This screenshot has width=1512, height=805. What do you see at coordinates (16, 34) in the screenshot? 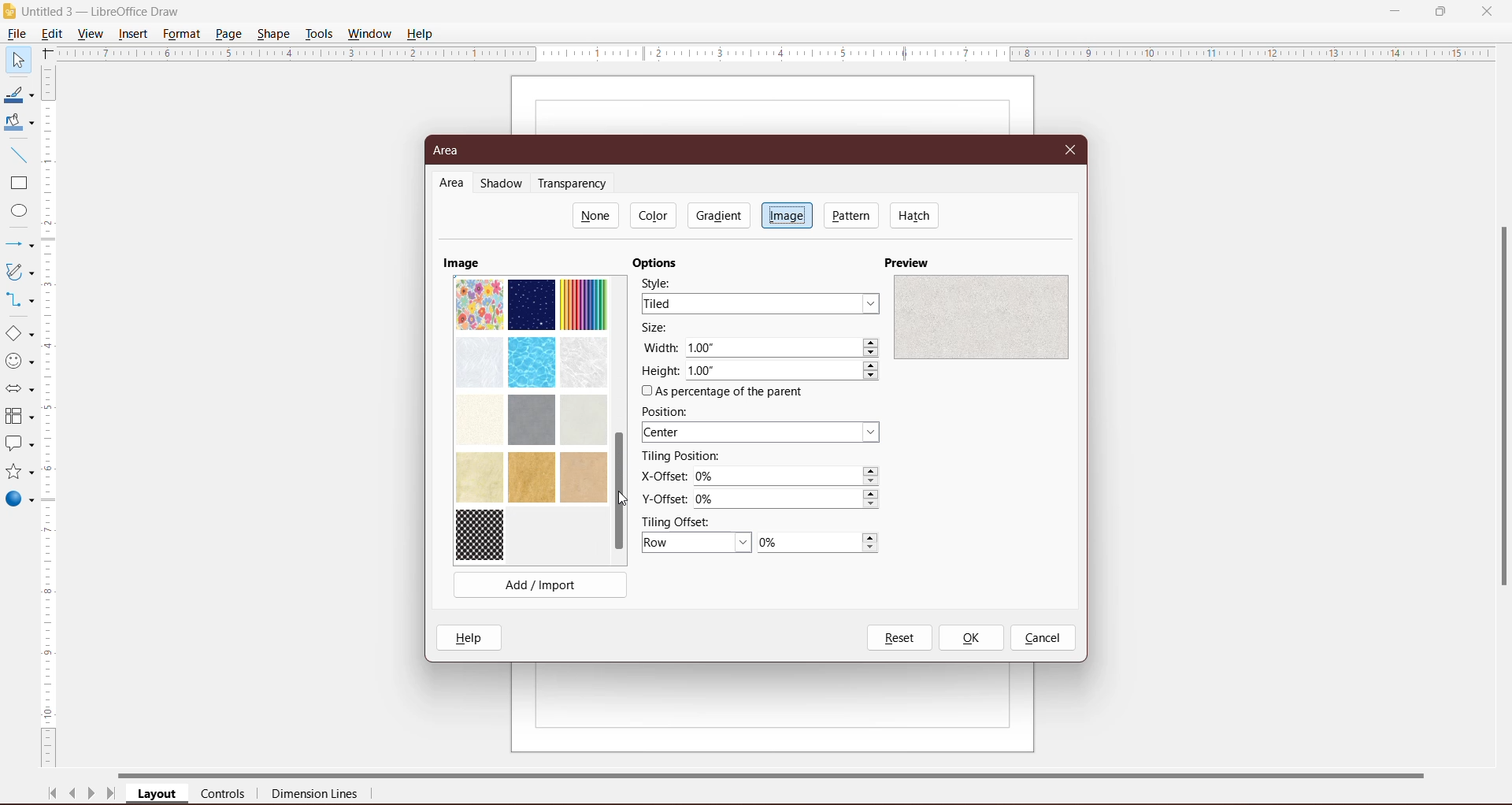
I see `File` at bounding box center [16, 34].